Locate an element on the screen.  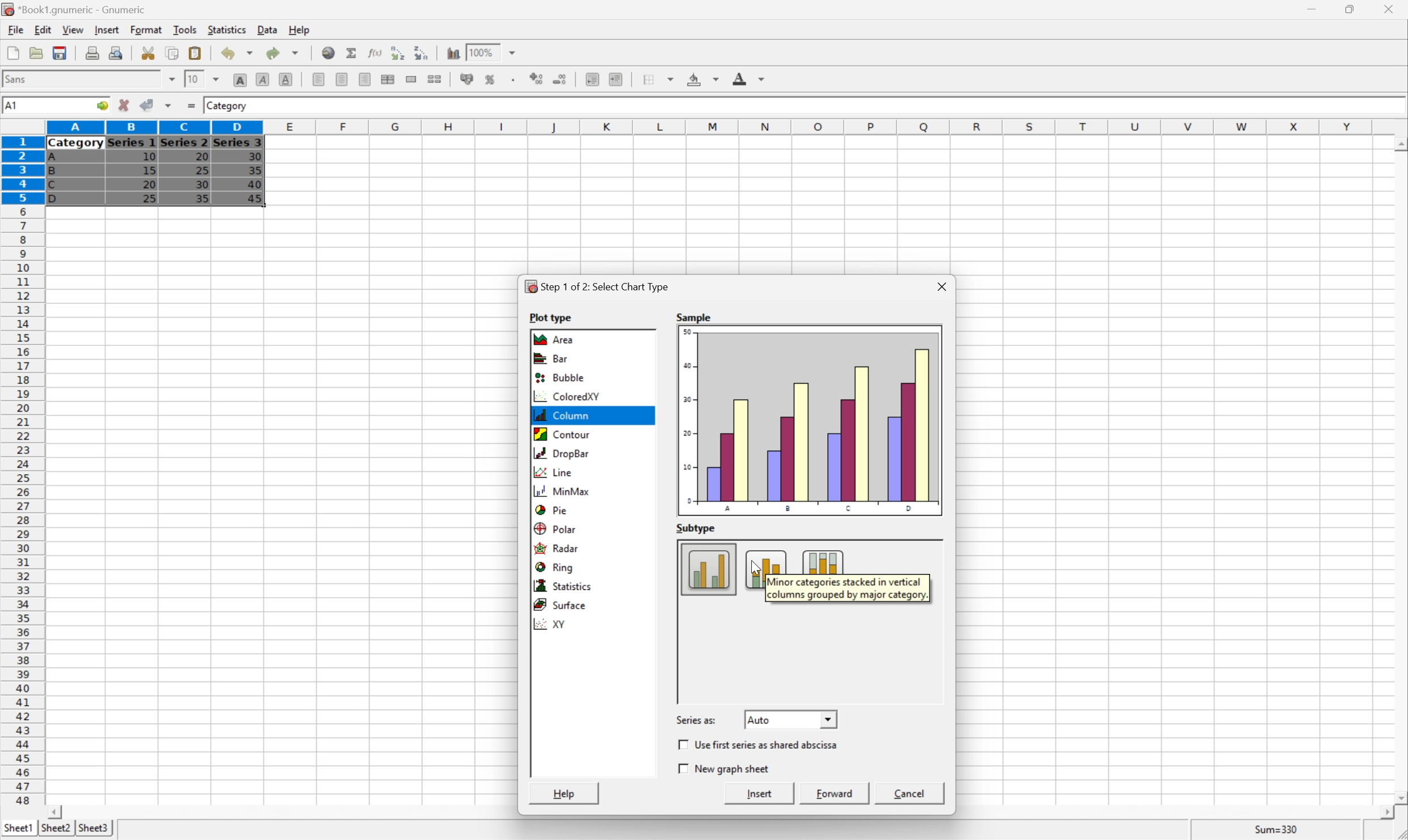
Sample is located at coordinates (811, 421).